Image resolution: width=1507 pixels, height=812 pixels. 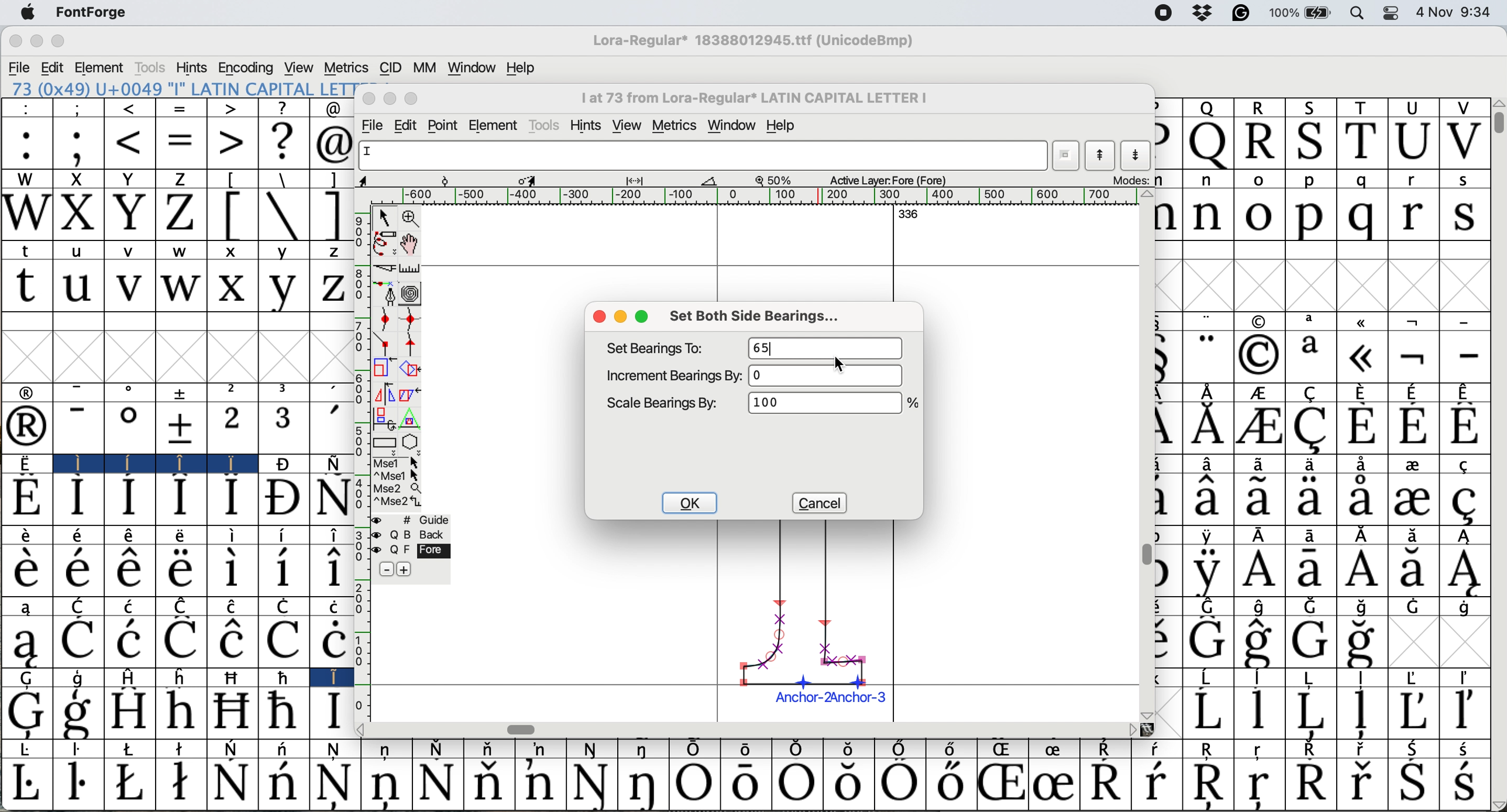 What do you see at coordinates (644, 317) in the screenshot?
I see `maximise` at bounding box center [644, 317].